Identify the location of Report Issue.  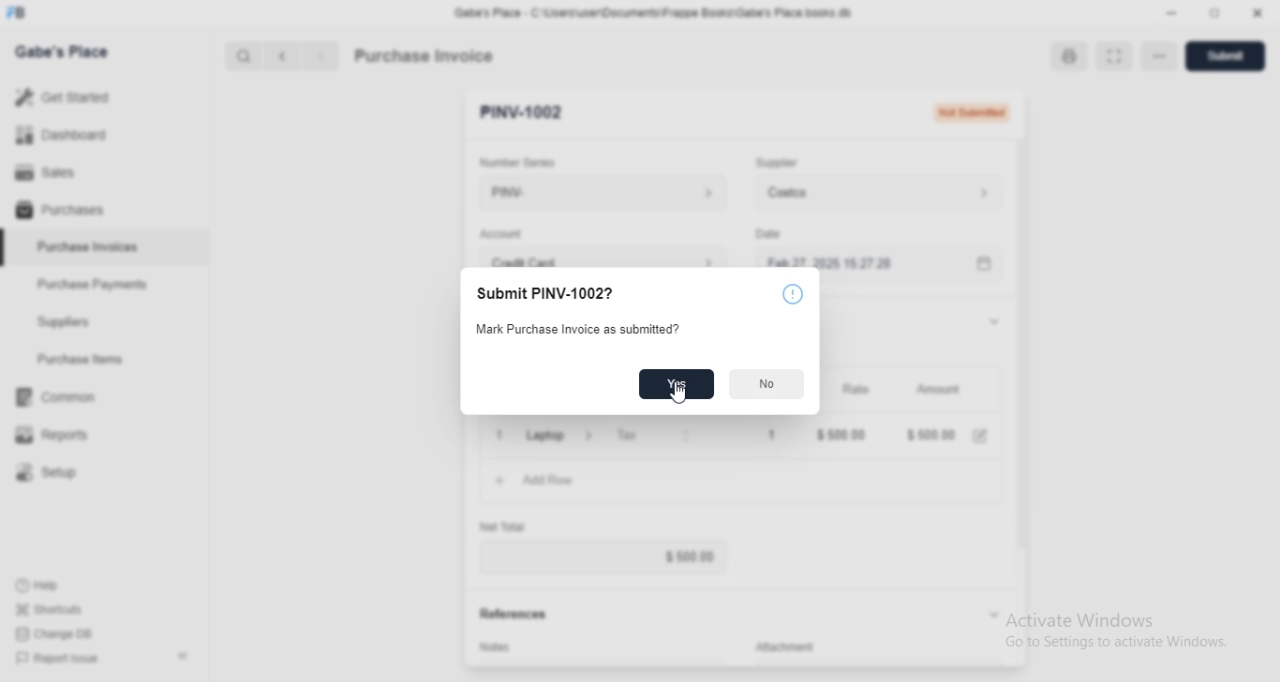
(58, 658).